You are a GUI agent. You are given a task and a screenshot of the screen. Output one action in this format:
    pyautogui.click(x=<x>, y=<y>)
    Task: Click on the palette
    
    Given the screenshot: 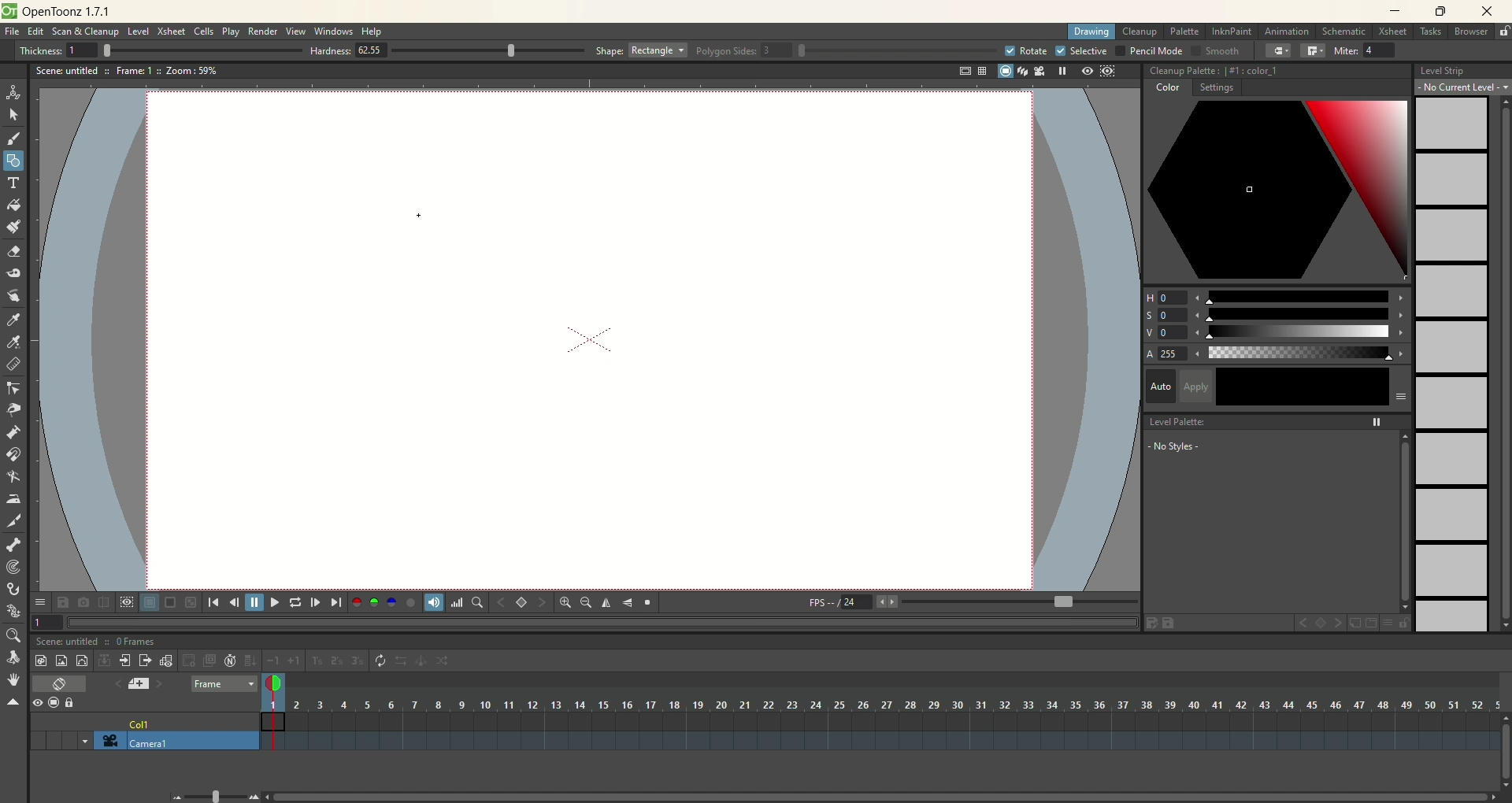 What is the action you would take?
    pyautogui.click(x=1186, y=31)
    